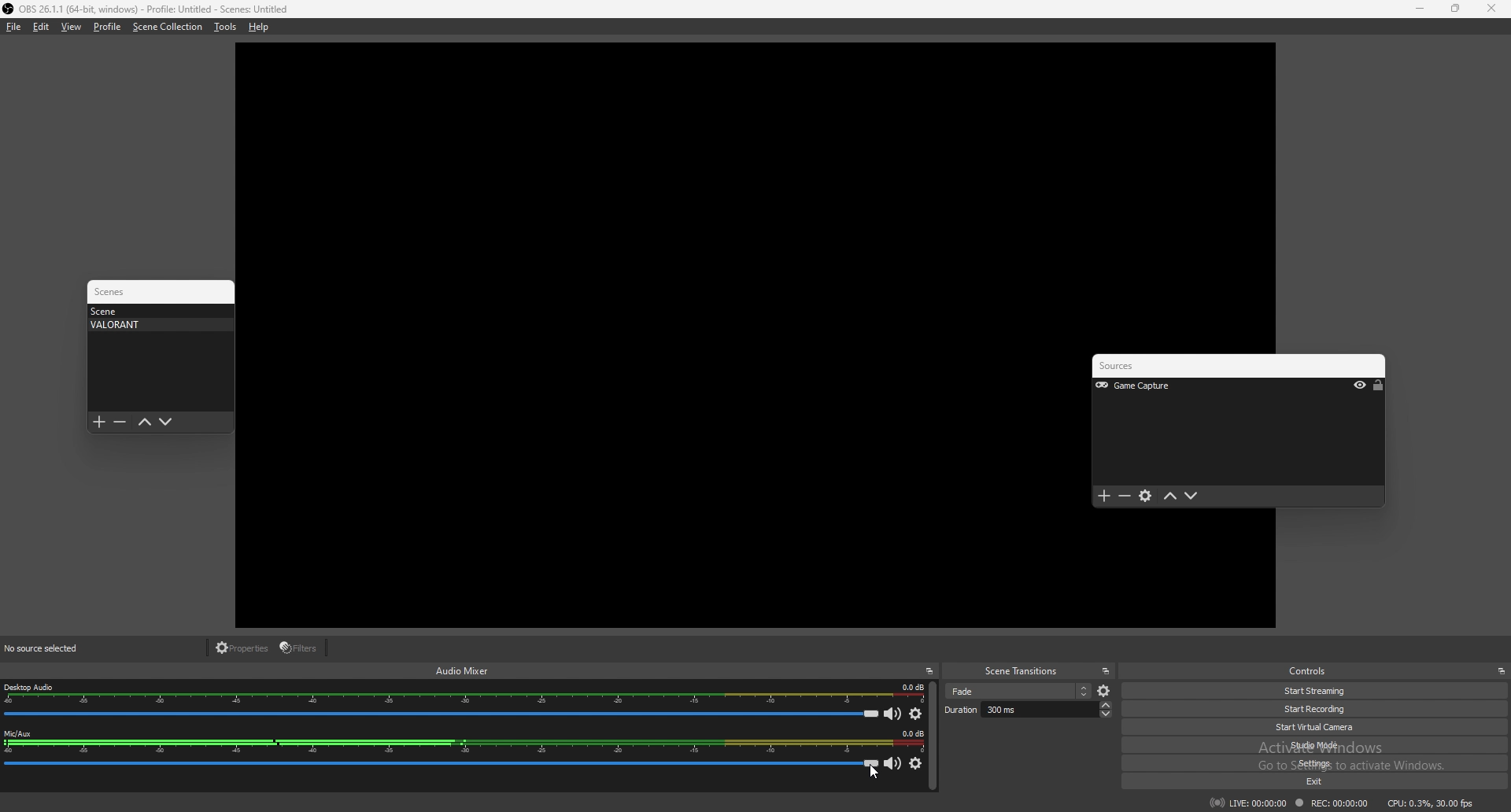 The height and width of the screenshot is (812, 1511). I want to click on scene, so click(156, 311).